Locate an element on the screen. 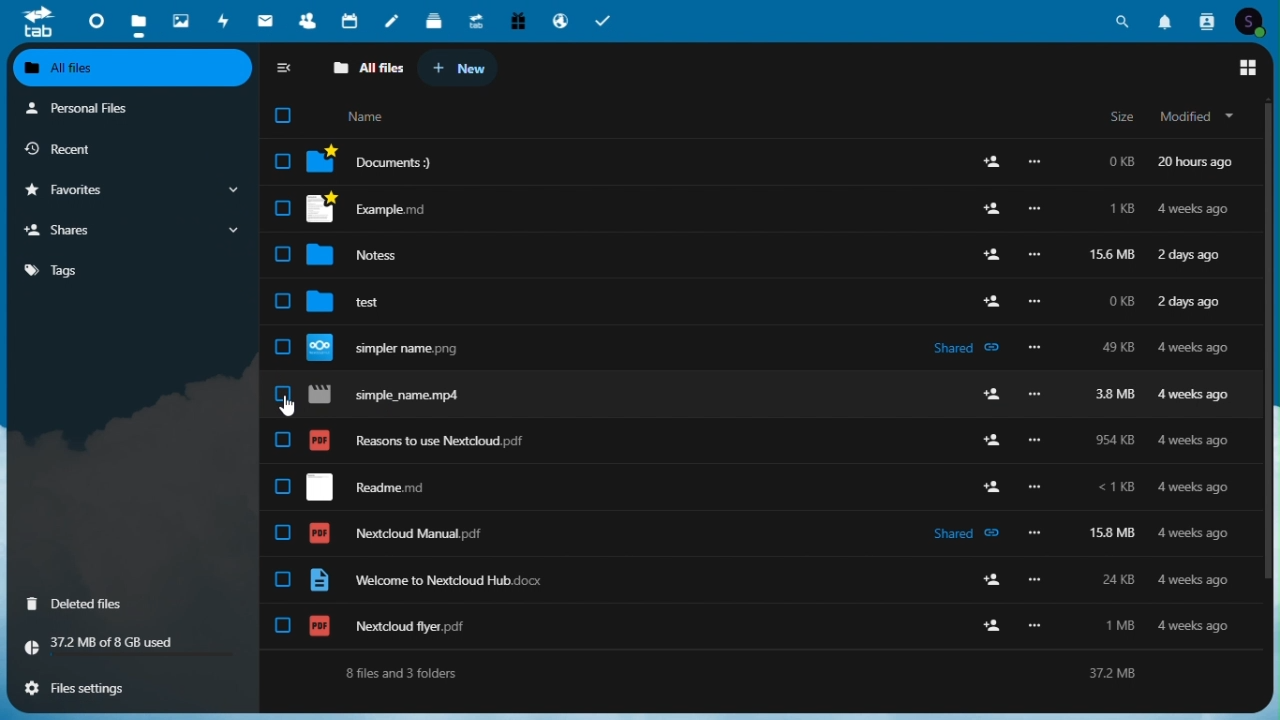 Image resolution: width=1280 pixels, height=720 pixels. deck is located at coordinates (434, 22).